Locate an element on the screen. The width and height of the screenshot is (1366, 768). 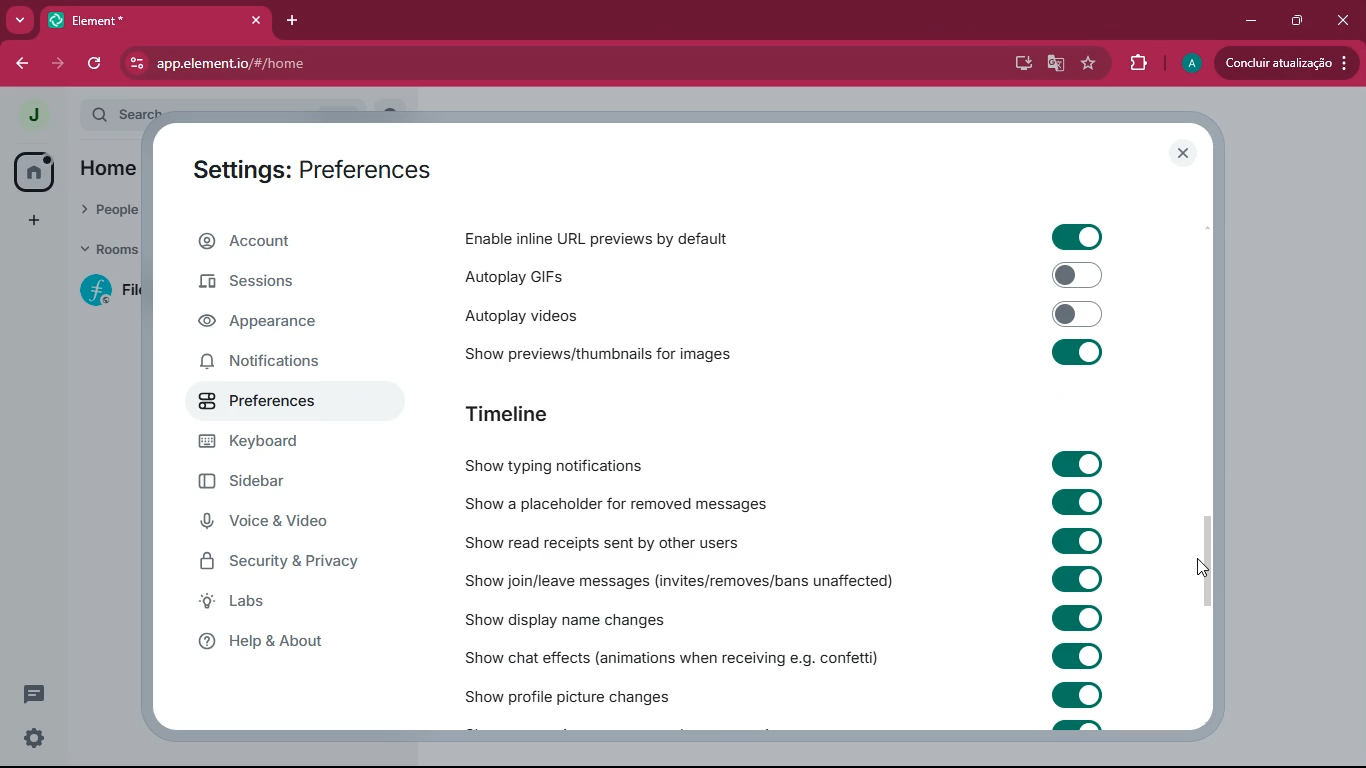
toggle on/off is located at coordinates (1077, 238).